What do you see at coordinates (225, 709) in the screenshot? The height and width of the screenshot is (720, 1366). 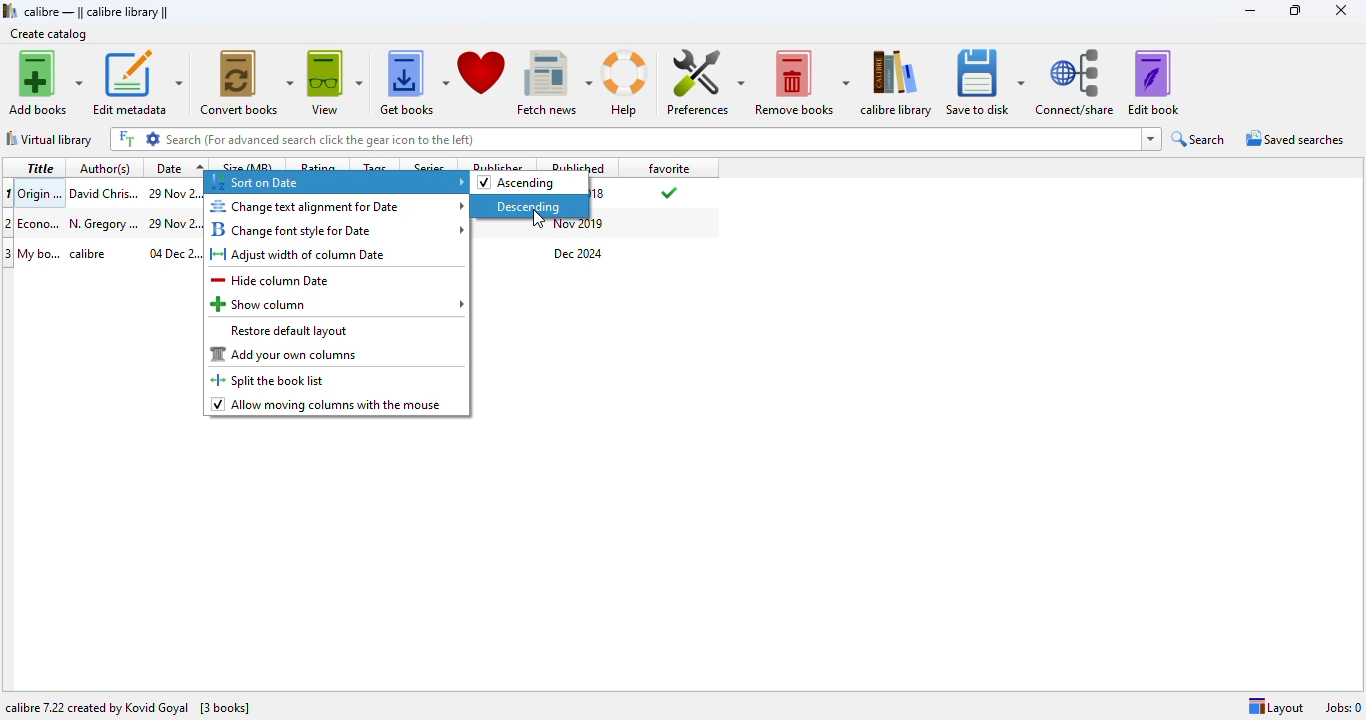 I see `[3 books]` at bounding box center [225, 709].